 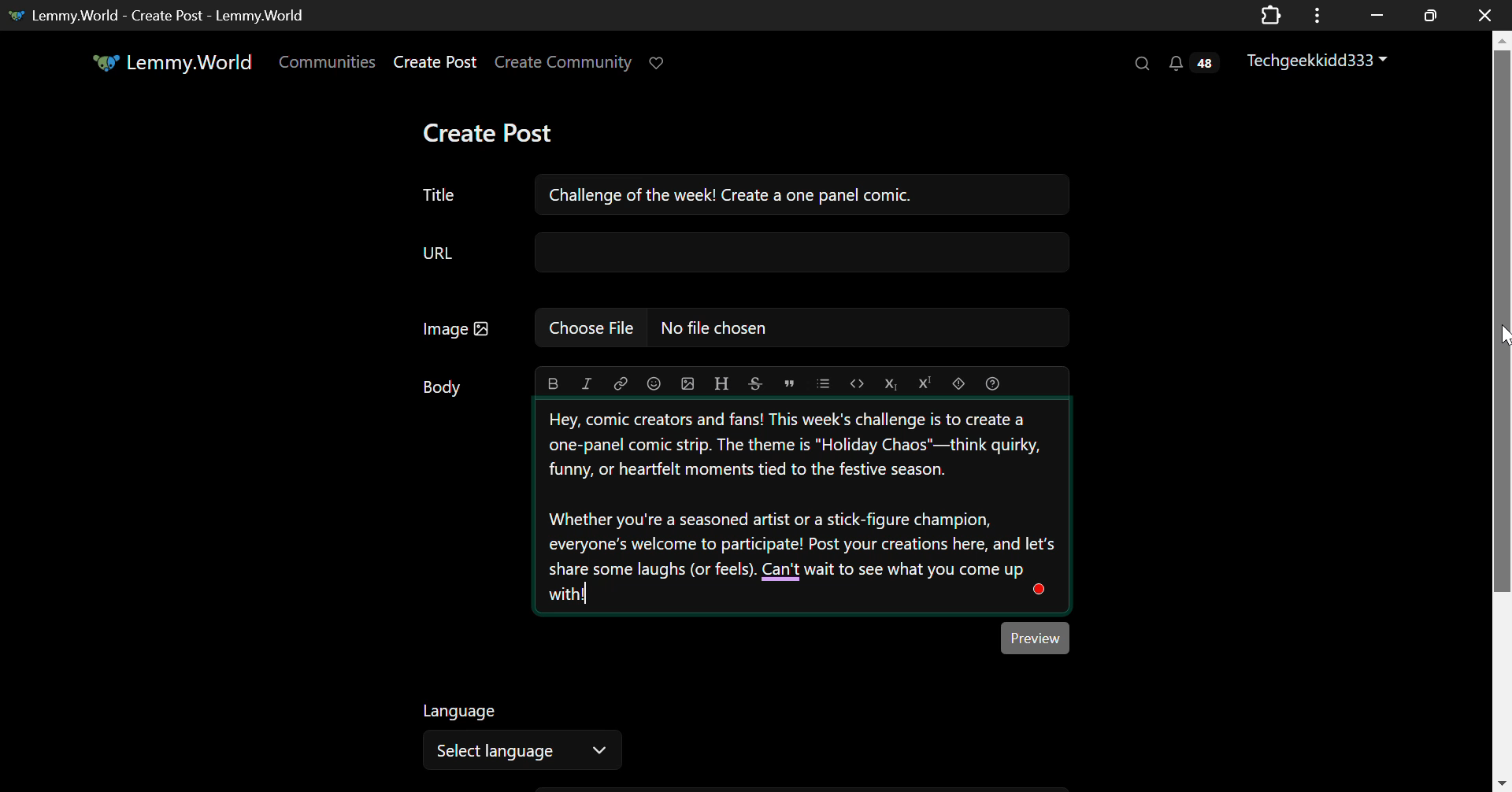 What do you see at coordinates (891, 383) in the screenshot?
I see `Subscript` at bounding box center [891, 383].